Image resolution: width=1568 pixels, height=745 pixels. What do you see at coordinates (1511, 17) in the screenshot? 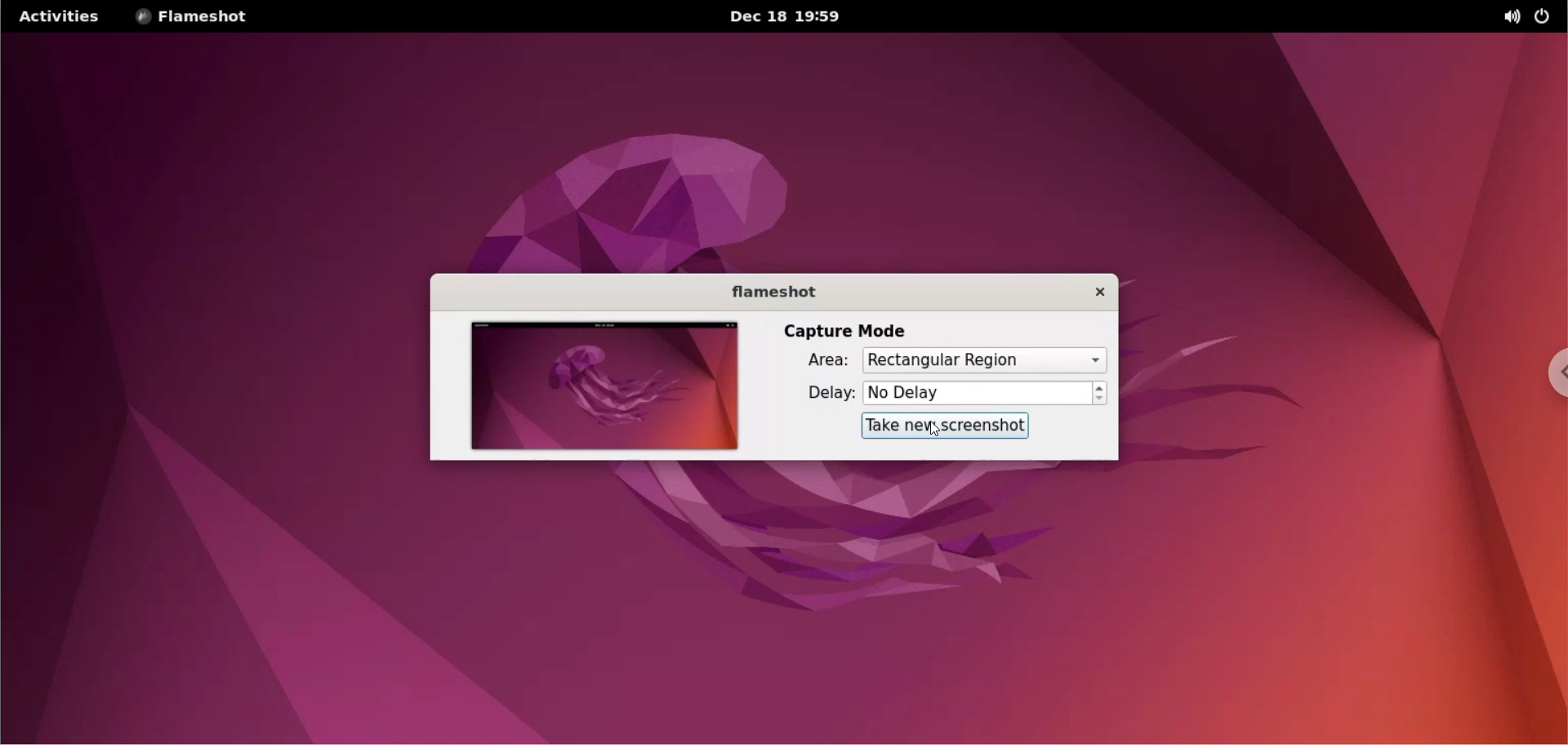
I see `sound options ` at bounding box center [1511, 17].